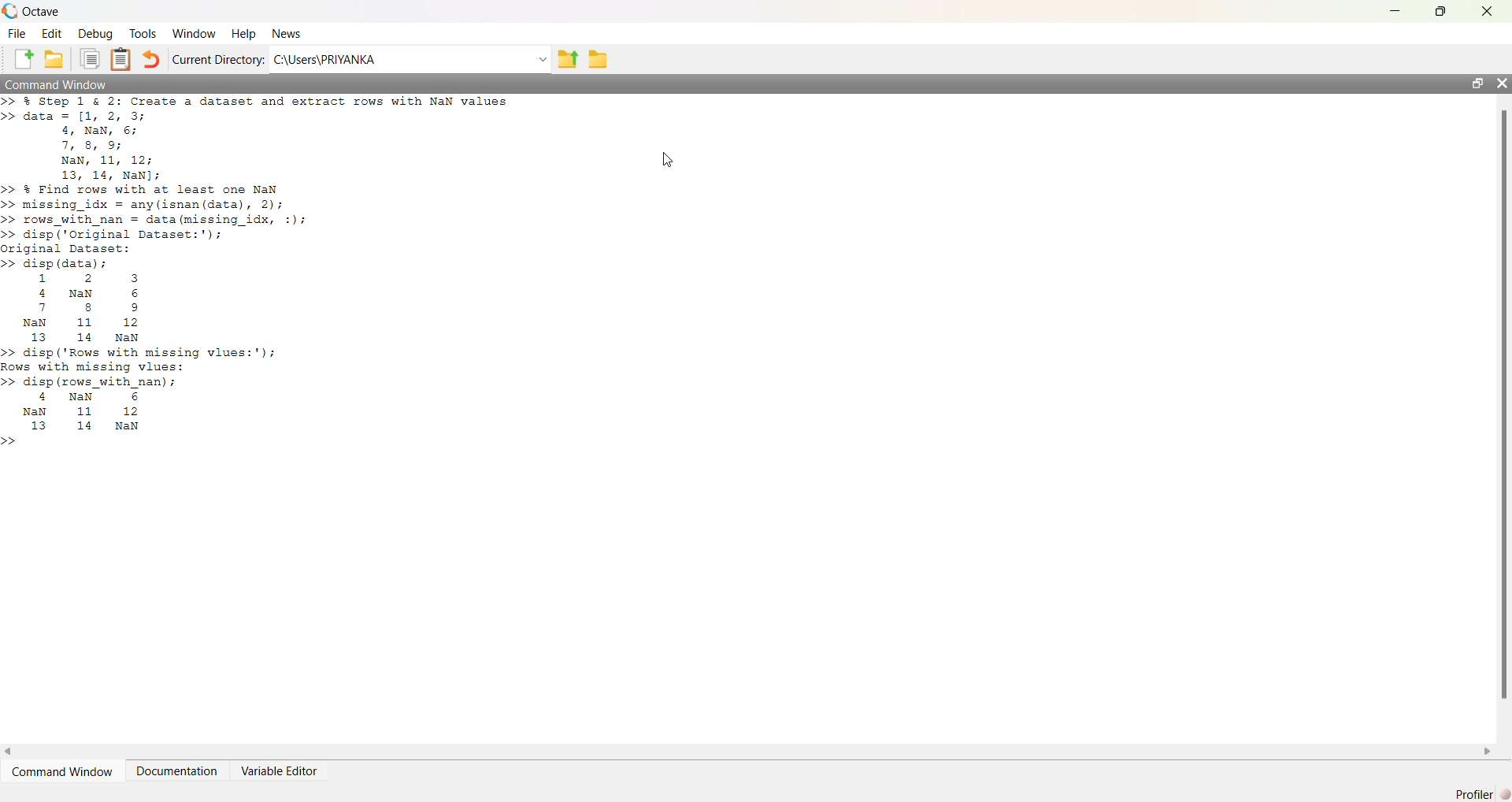 The image size is (1512, 802). I want to click on maximize, so click(1441, 10).